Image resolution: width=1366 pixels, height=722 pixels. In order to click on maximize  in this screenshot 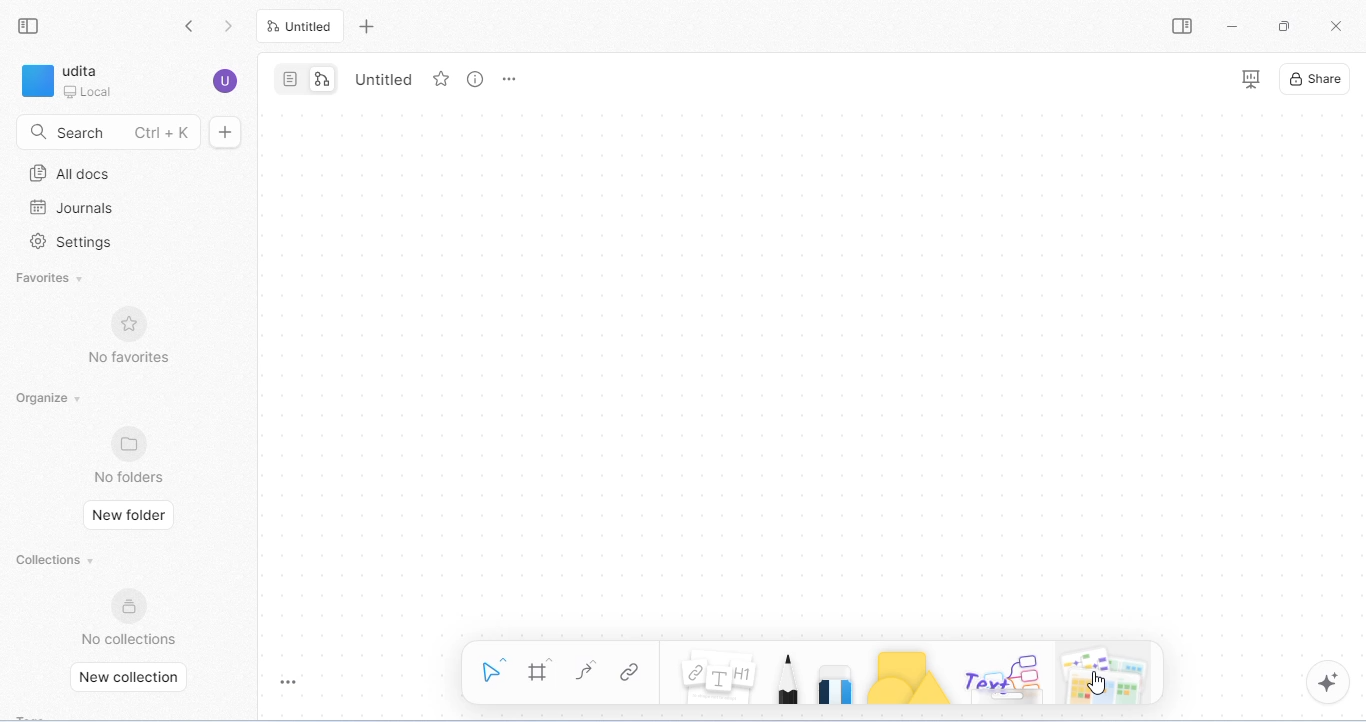, I will do `click(1283, 25)`.